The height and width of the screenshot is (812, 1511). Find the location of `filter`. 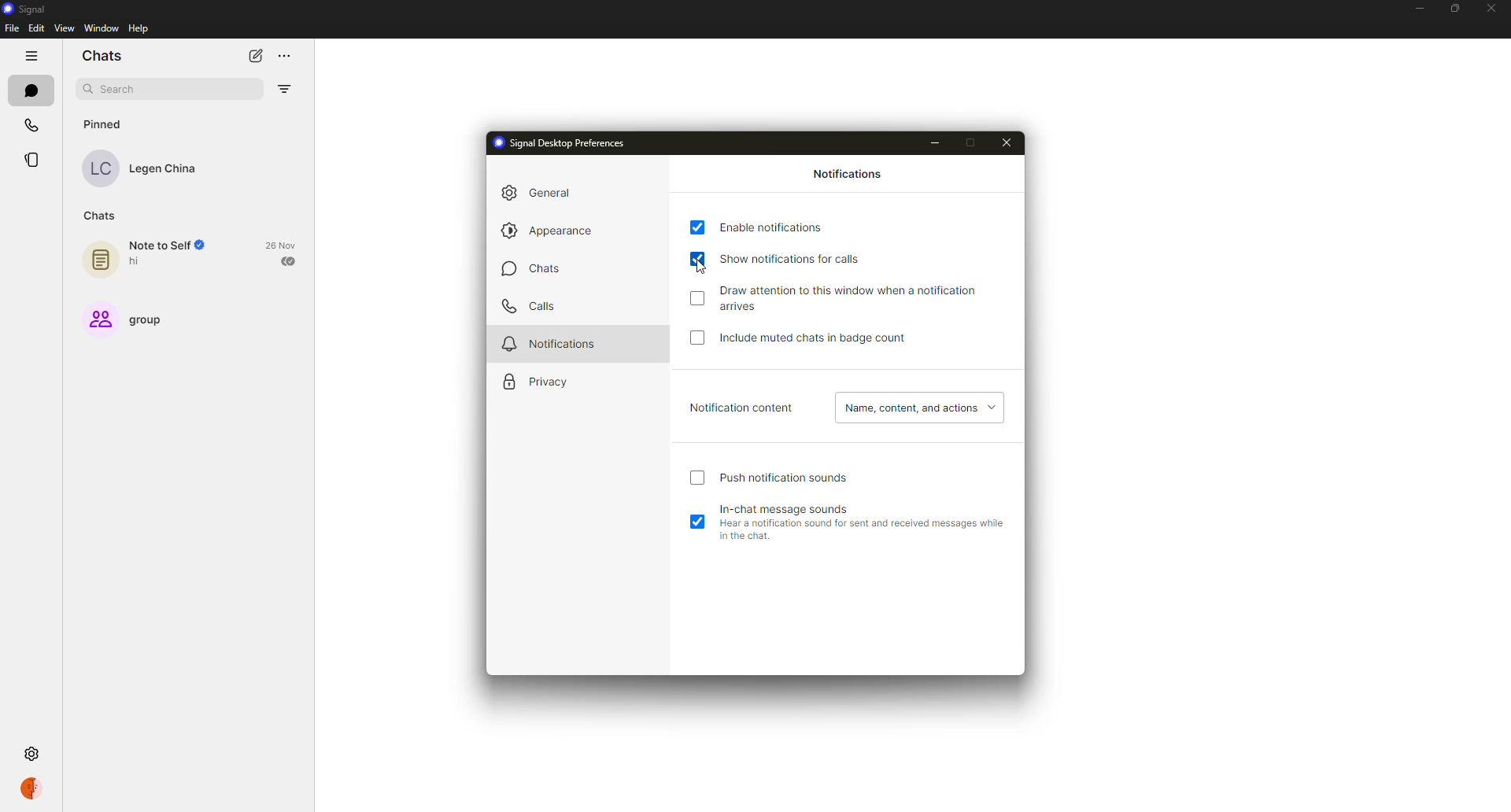

filter is located at coordinates (281, 88).